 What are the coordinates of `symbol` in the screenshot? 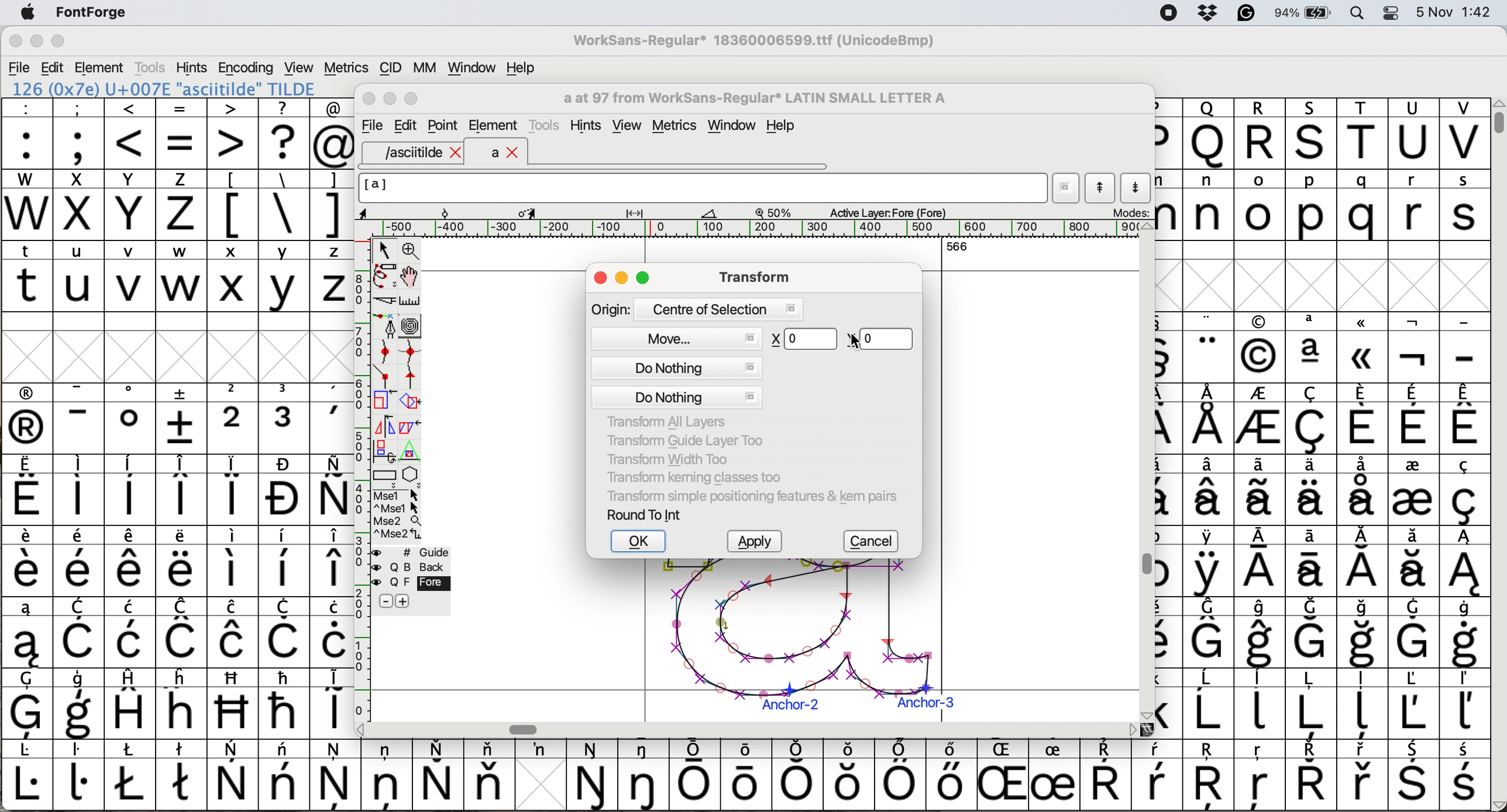 It's located at (331, 490).